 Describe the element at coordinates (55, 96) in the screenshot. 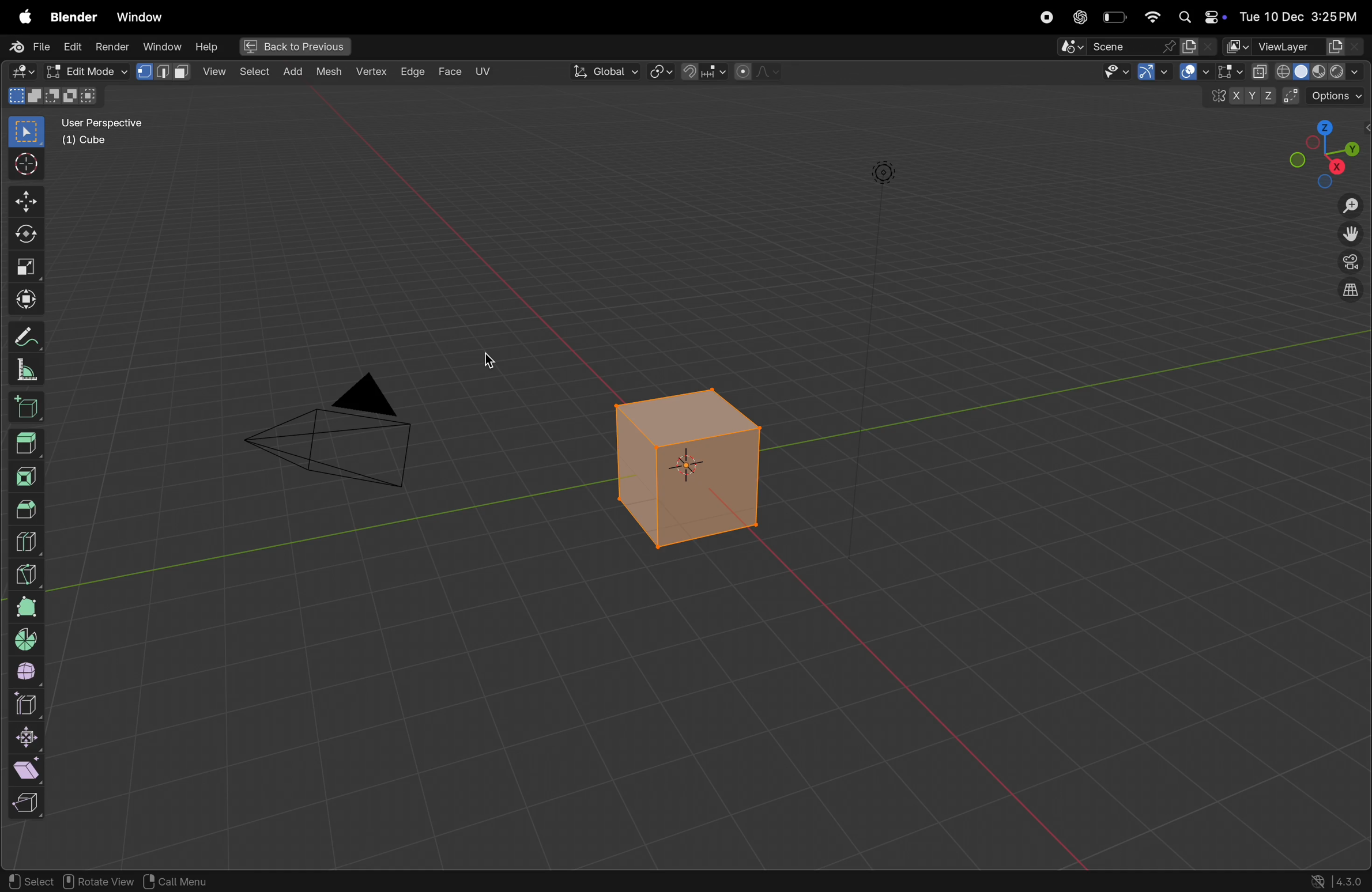

I see `mode` at that location.